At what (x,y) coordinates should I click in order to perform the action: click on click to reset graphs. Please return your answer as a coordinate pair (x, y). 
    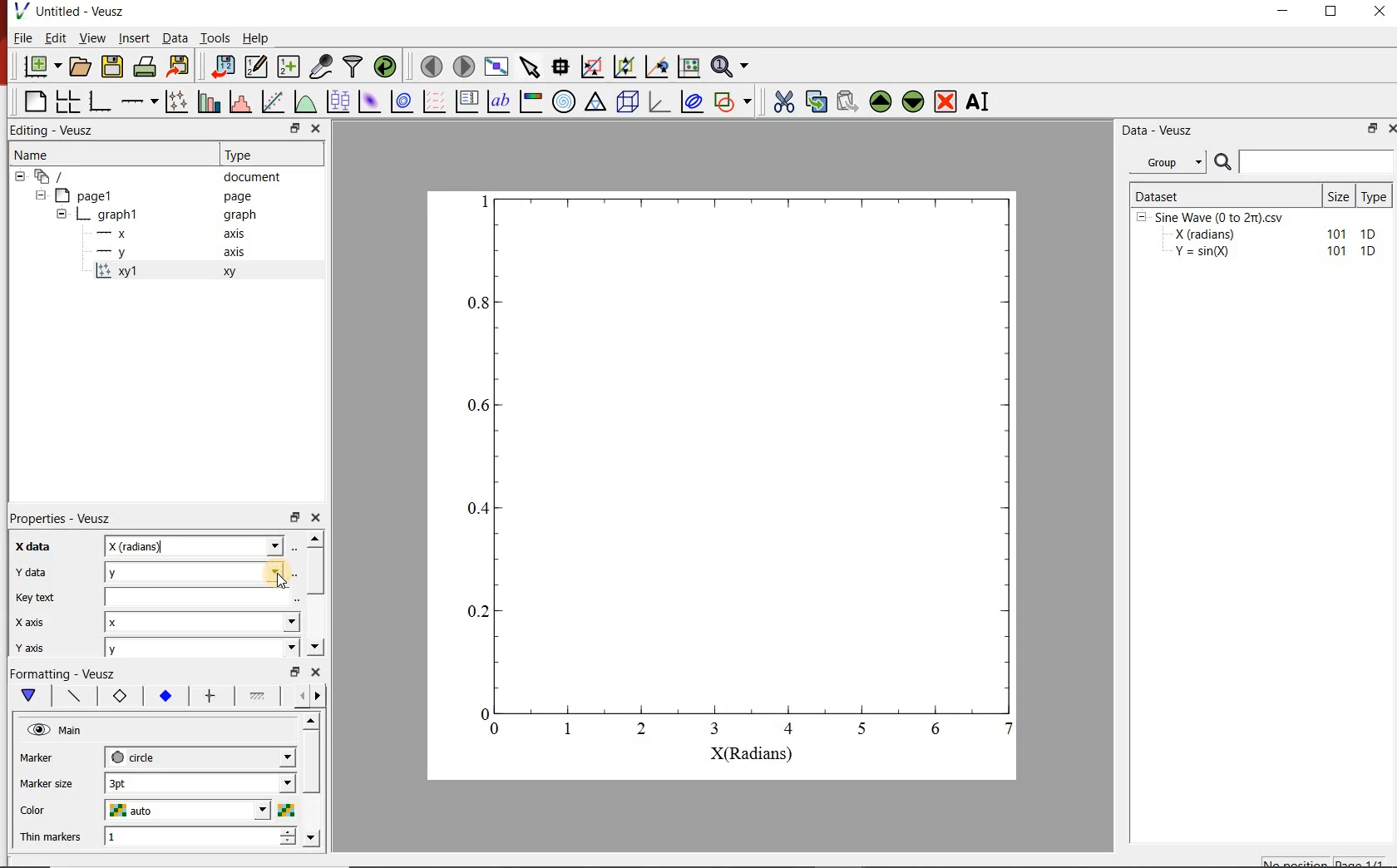
    Looking at the image, I should click on (689, 66).